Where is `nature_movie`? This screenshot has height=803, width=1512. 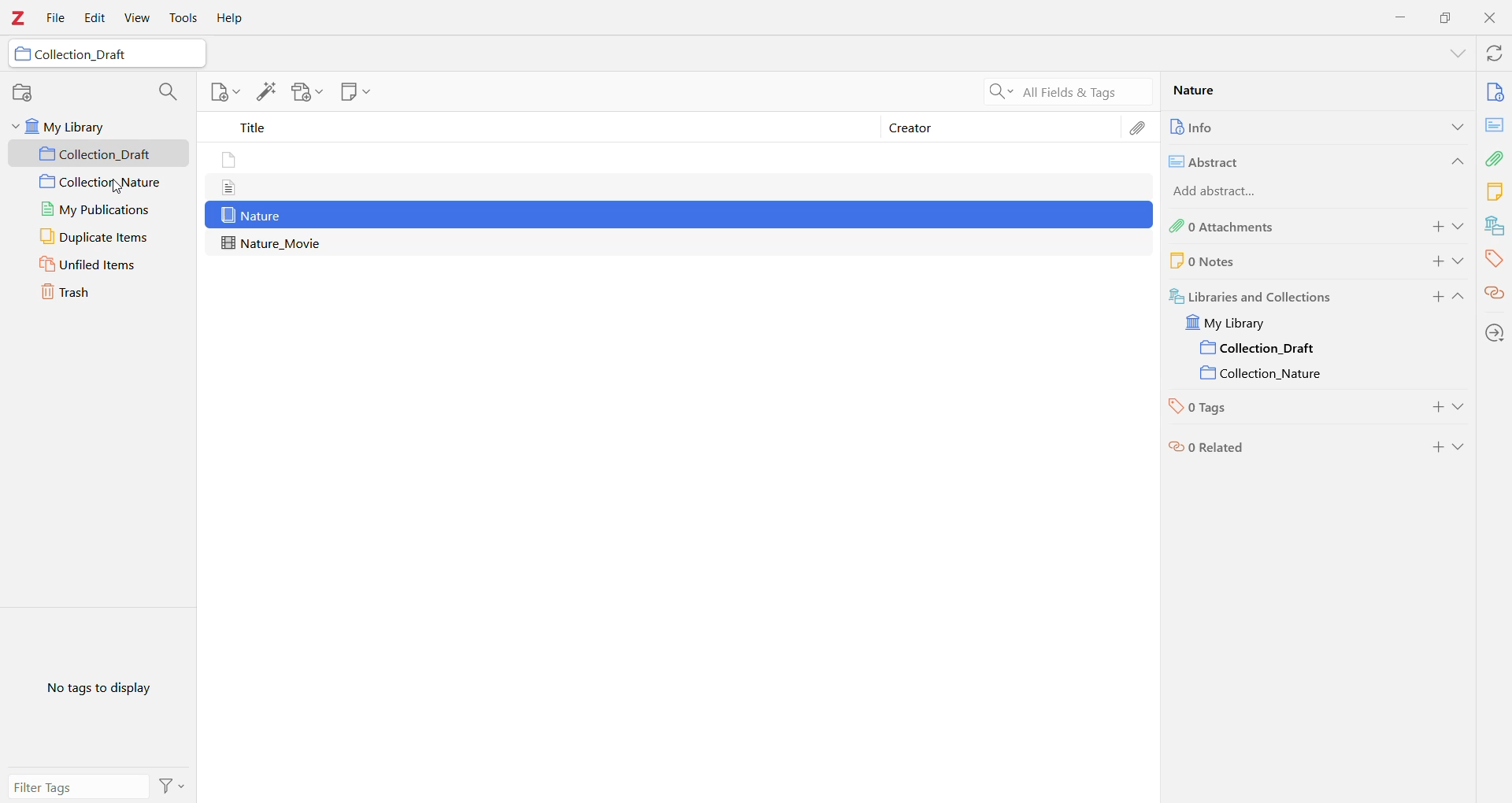 nature_movie is located at coordinates (272, 242).